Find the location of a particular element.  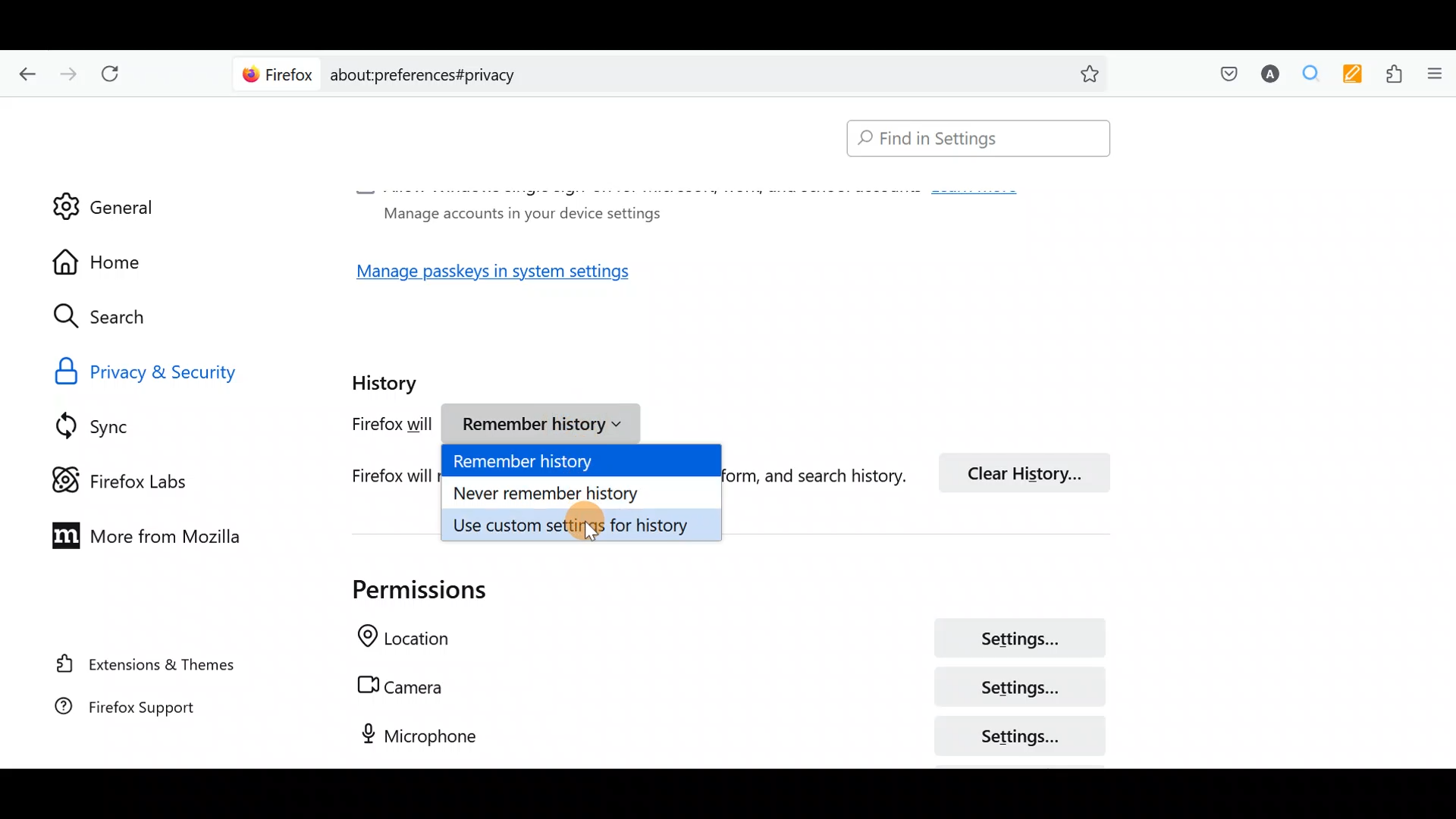

Open application menu is located at coordinates (1433, 75).